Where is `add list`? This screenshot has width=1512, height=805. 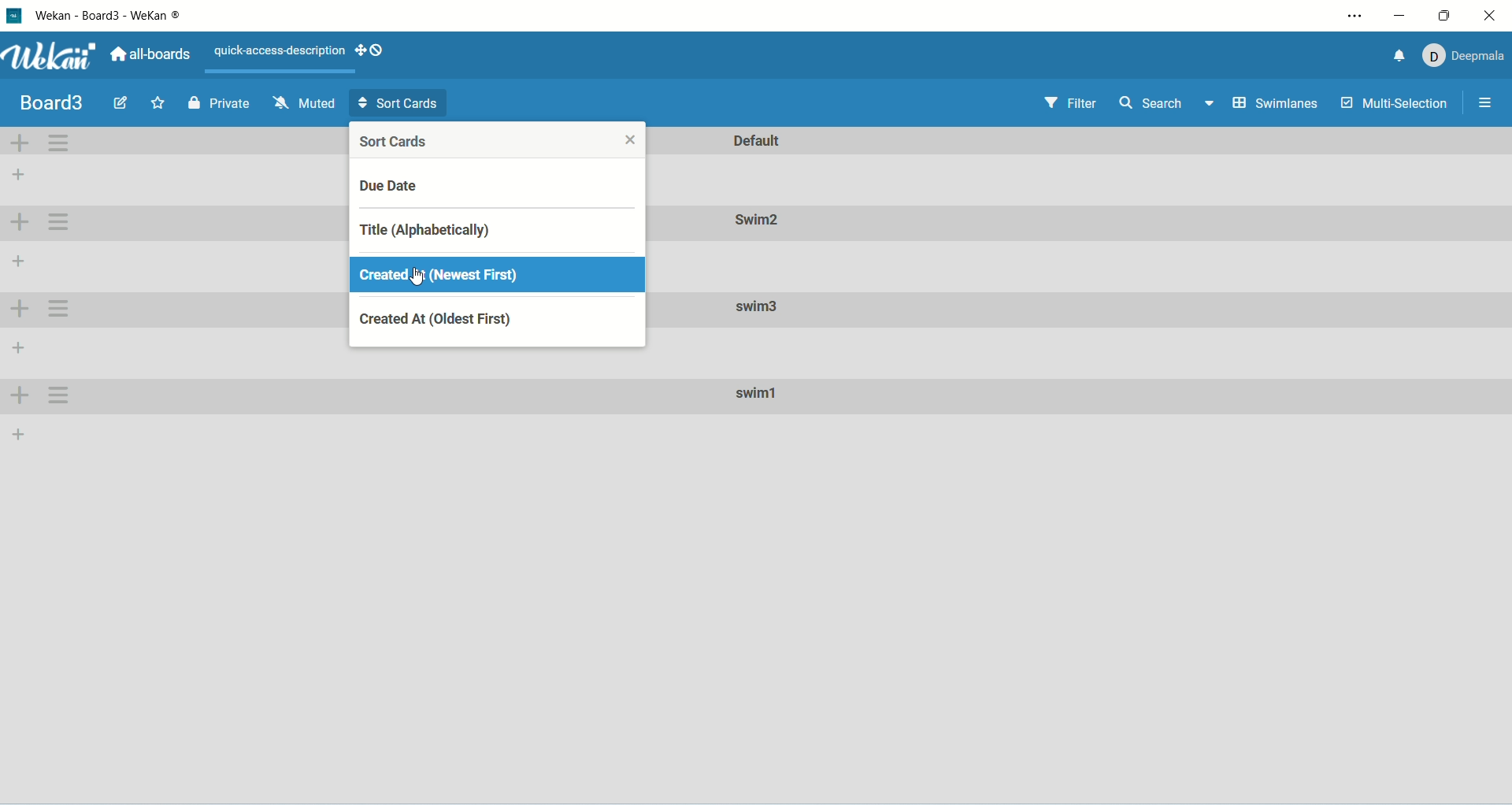 add list is located at coordinates (17, 344).